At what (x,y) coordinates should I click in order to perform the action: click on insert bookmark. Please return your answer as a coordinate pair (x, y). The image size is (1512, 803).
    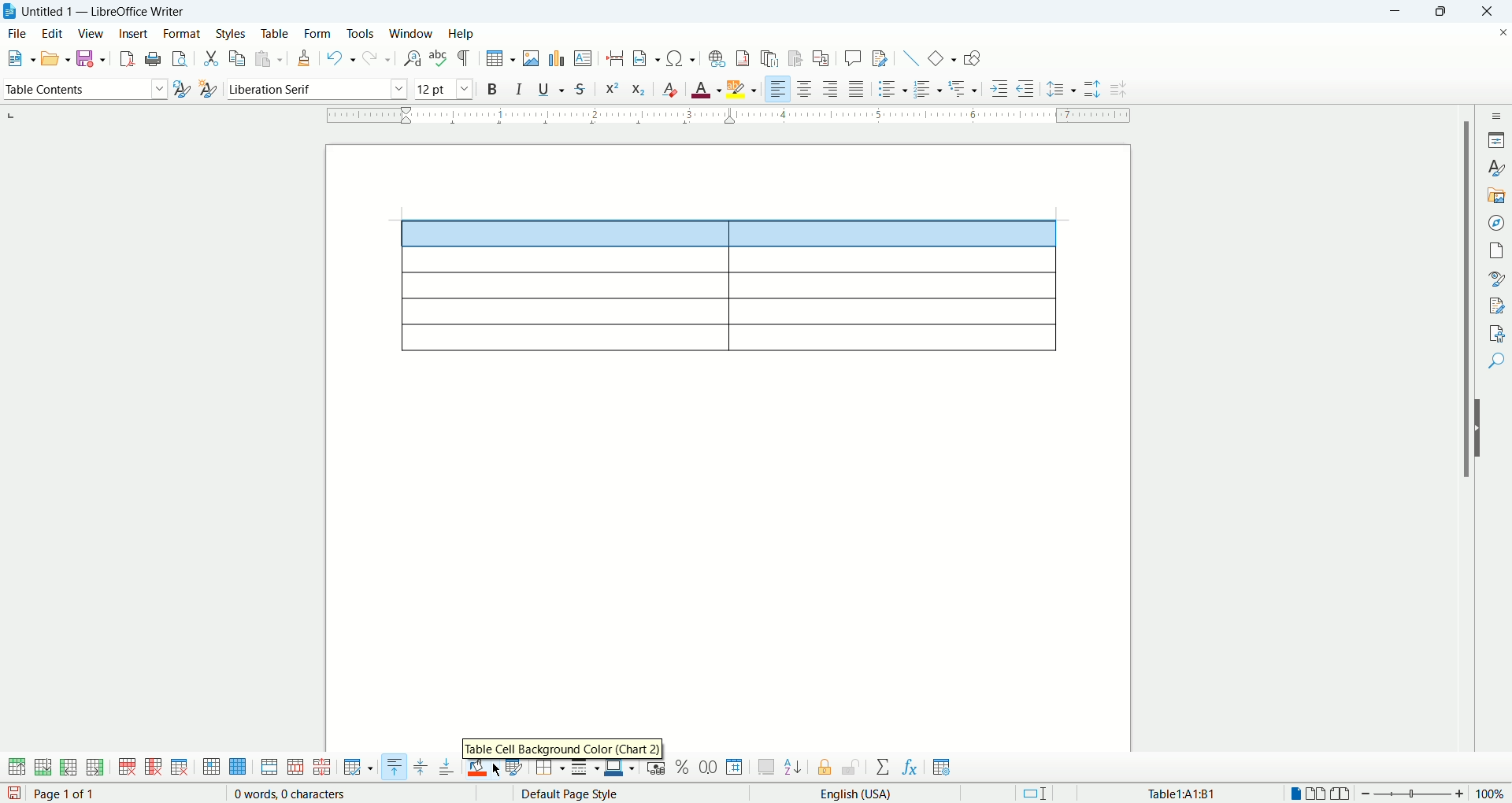
    Looking at the image, I should click on (796, 59).